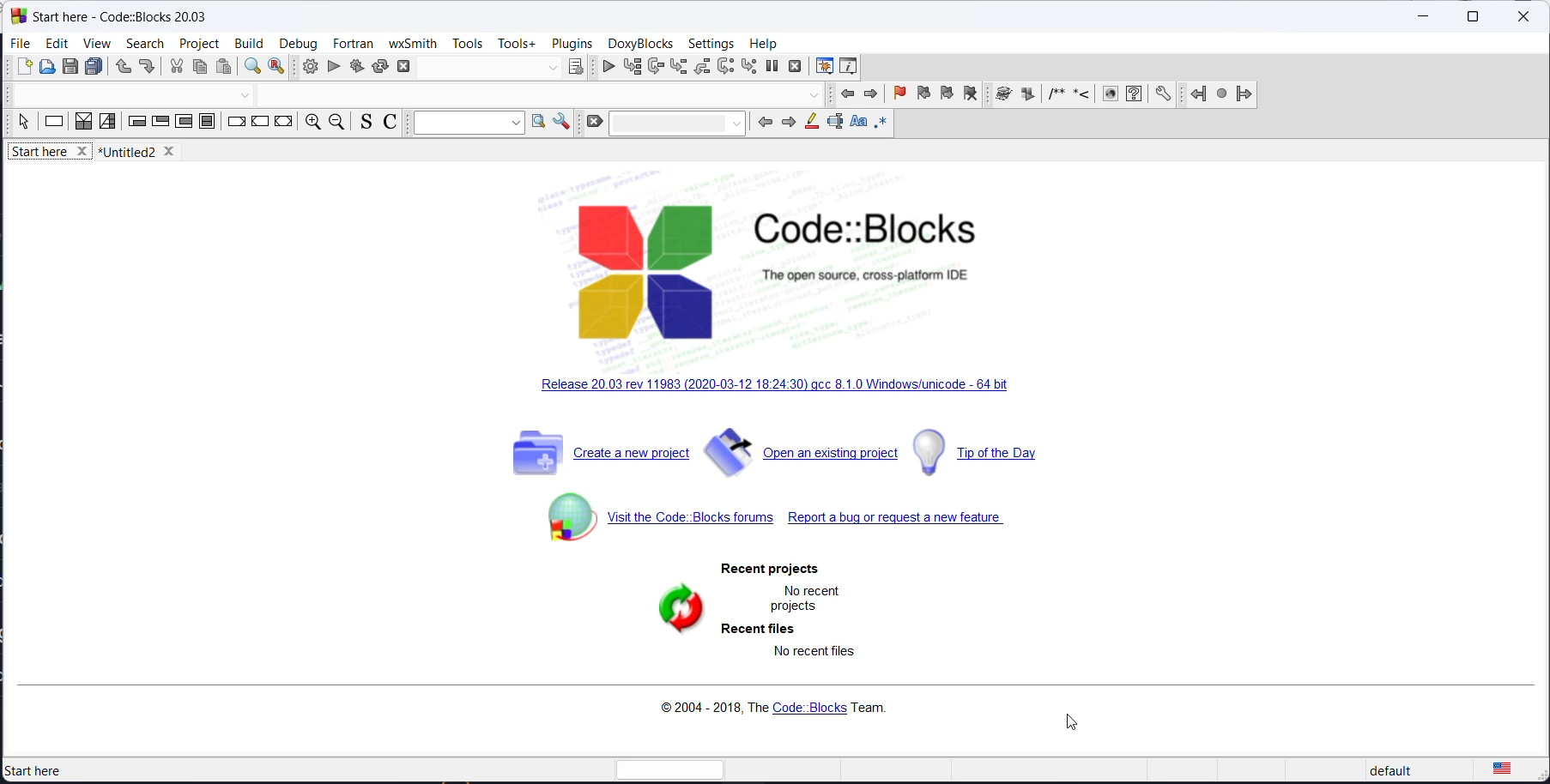 The width and height of the screenshot is (1550, 784). What do you see at coordinates (1244, 94) in the screenshot?
I see `jump forward` at bounding box center [1244, 94].